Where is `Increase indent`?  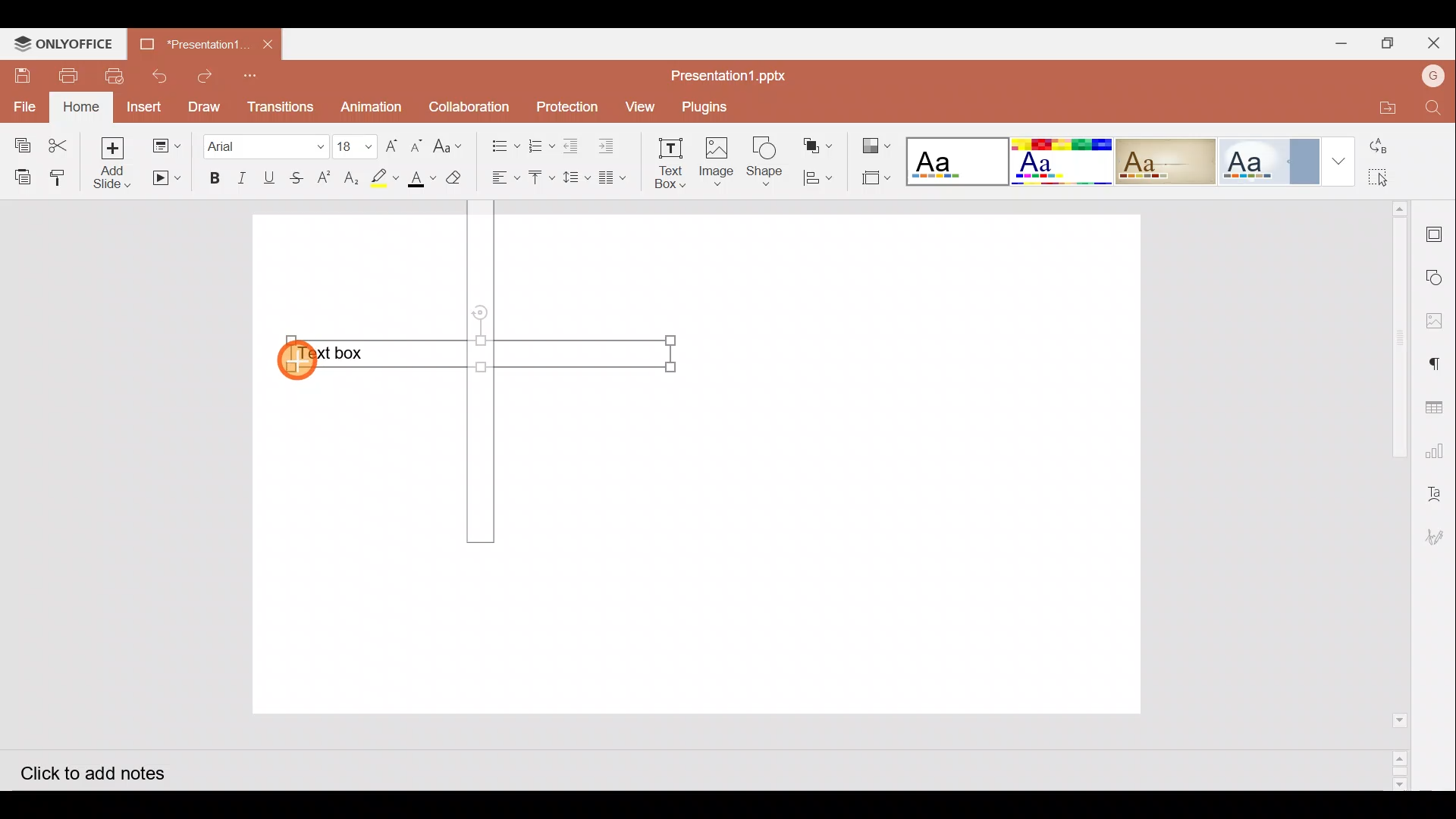 Increase indent is located at coordinates (609, 143).